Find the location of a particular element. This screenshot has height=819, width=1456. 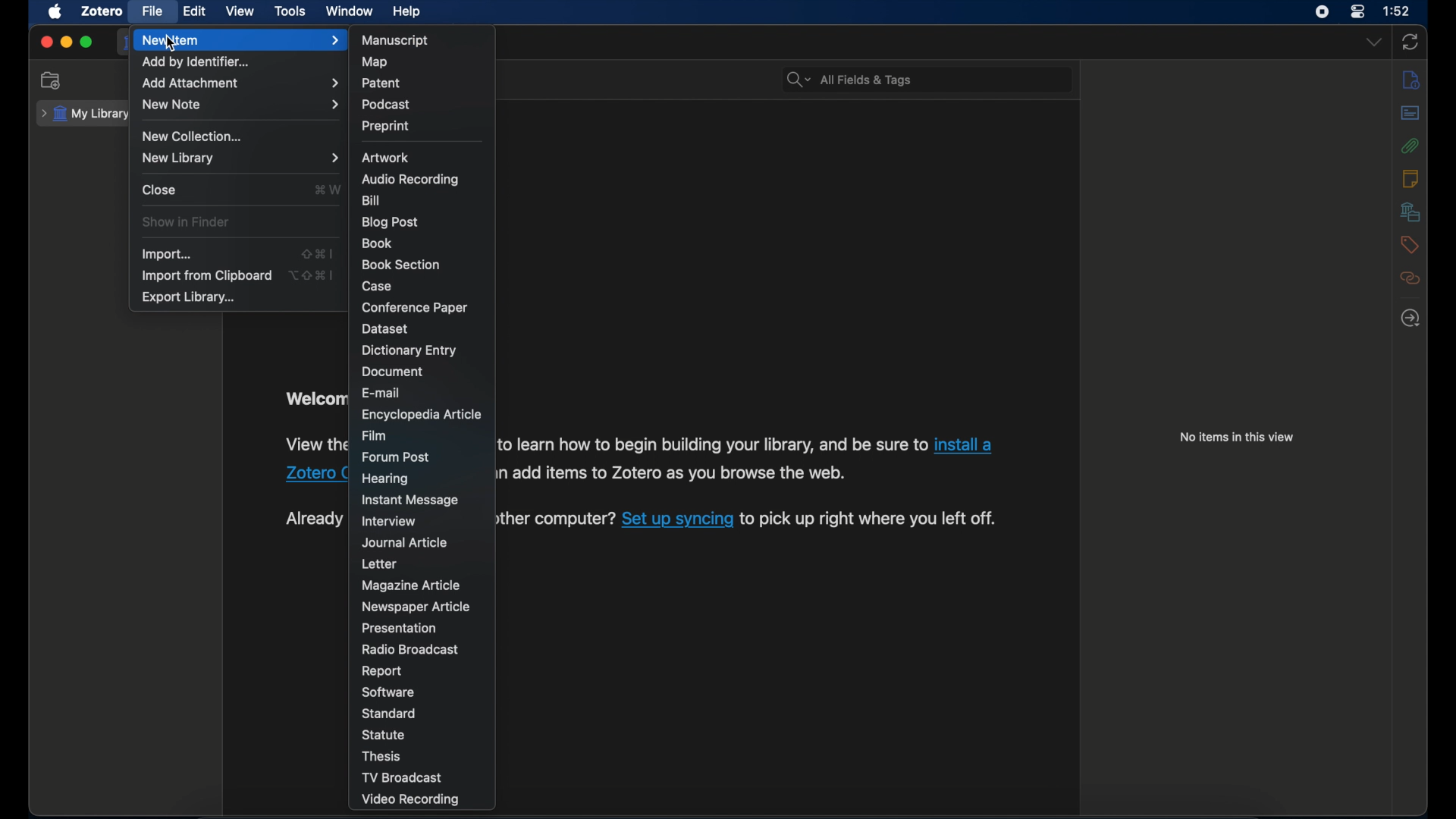

software is located at coordinates (388, 693).